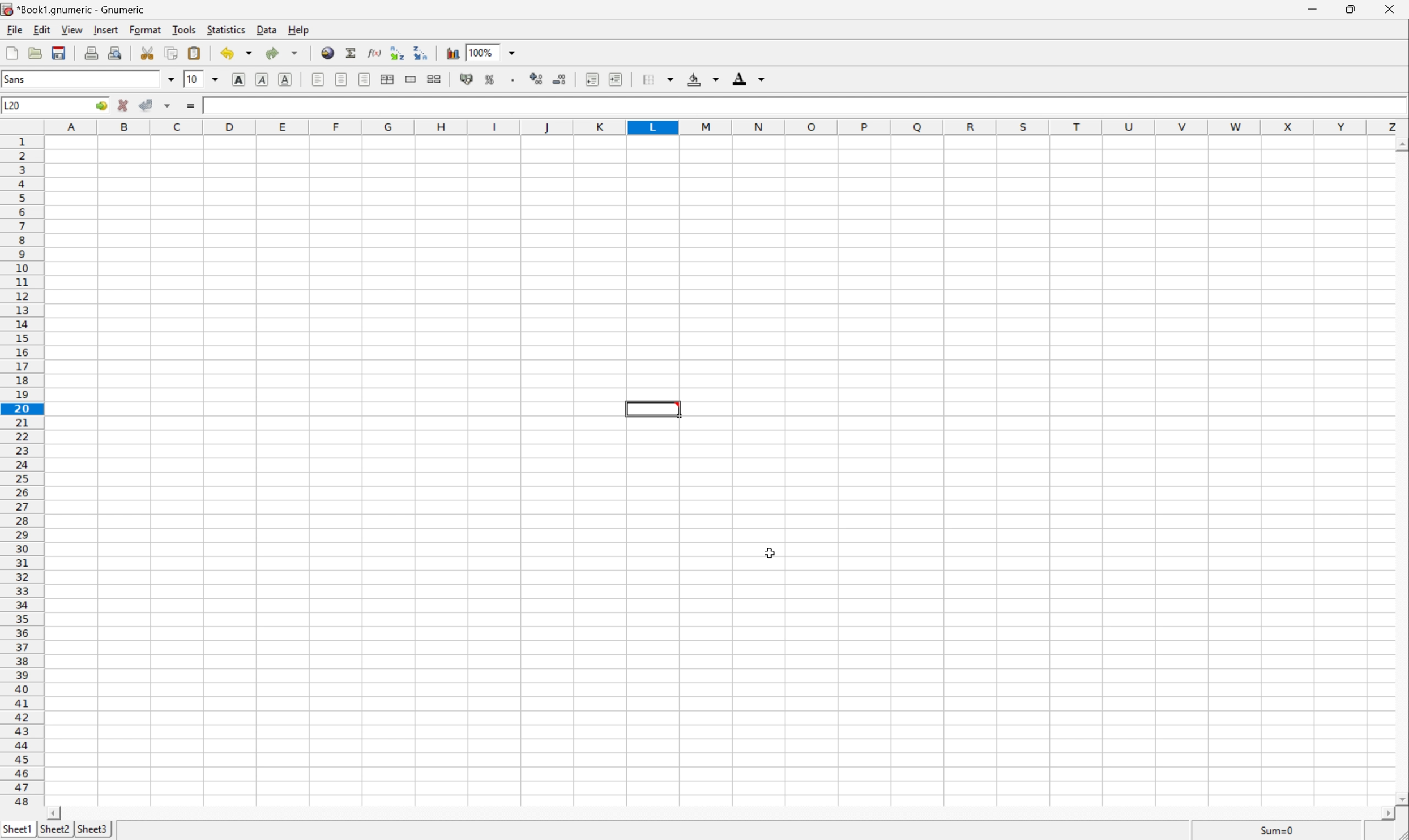 This screenshot has width=1409, height=840. I want to click on Copy selection, so click(172, 53).